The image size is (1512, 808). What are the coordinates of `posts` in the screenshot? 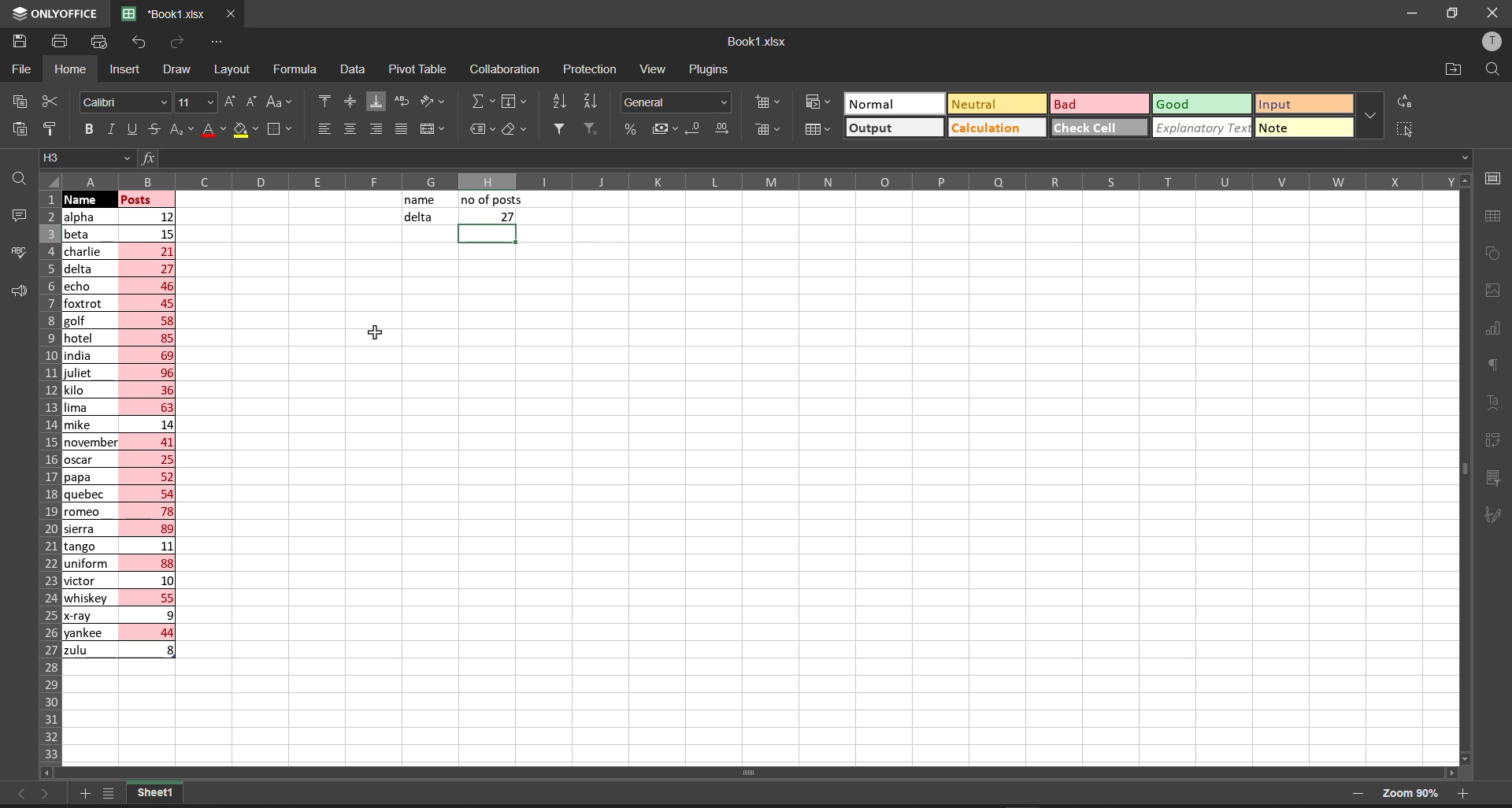 It's located at (149, 429).